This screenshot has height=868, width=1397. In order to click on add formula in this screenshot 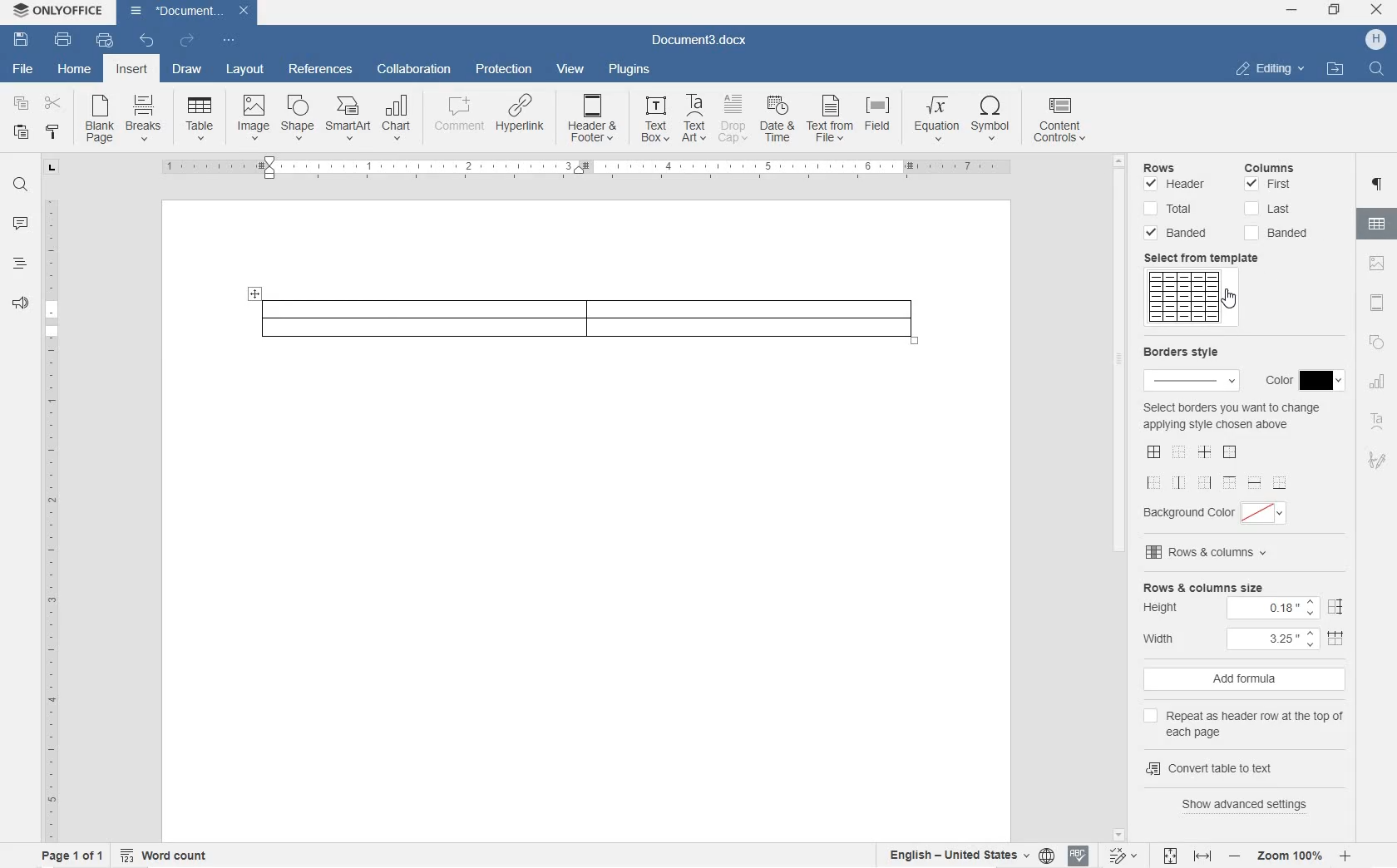, I will do `click(1246, 680)`.